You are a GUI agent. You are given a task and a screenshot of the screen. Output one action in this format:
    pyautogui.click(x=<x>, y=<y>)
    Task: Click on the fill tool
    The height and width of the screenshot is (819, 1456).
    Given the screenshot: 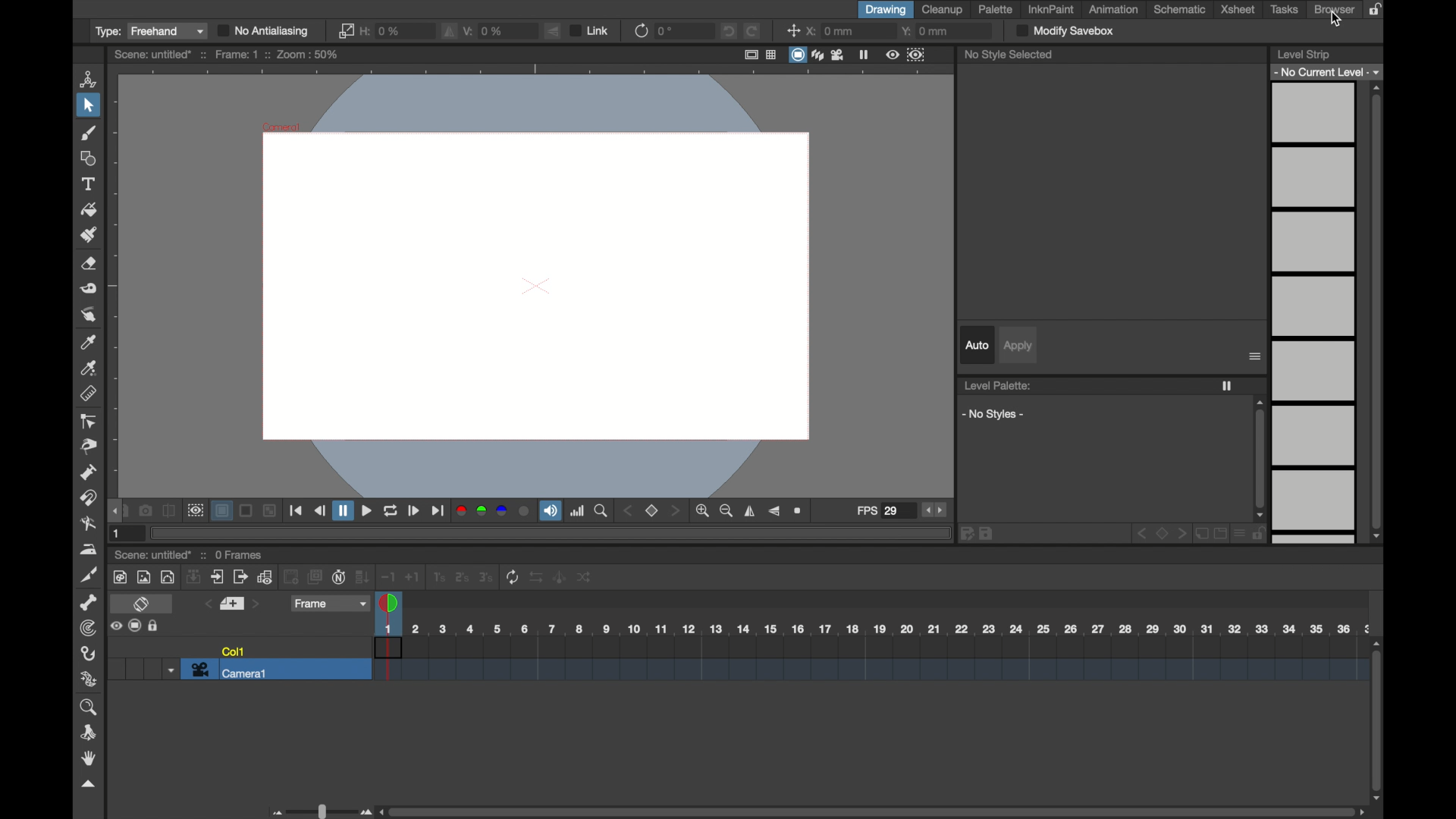 What is the action you would take?
    pyautogui.click(x=87, y=209)
    